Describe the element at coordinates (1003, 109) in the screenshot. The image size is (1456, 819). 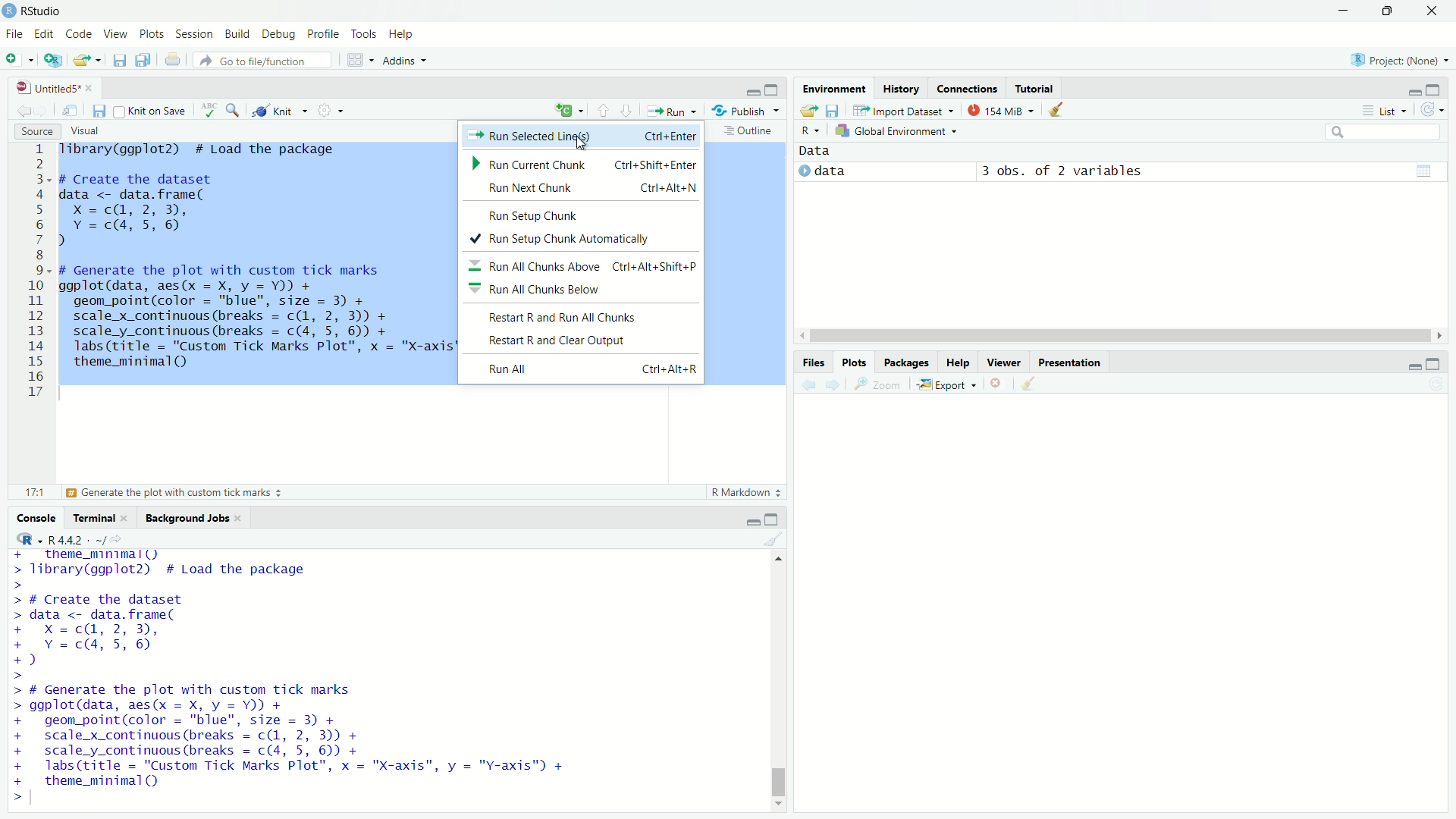
I see `154 MiB` at that location.